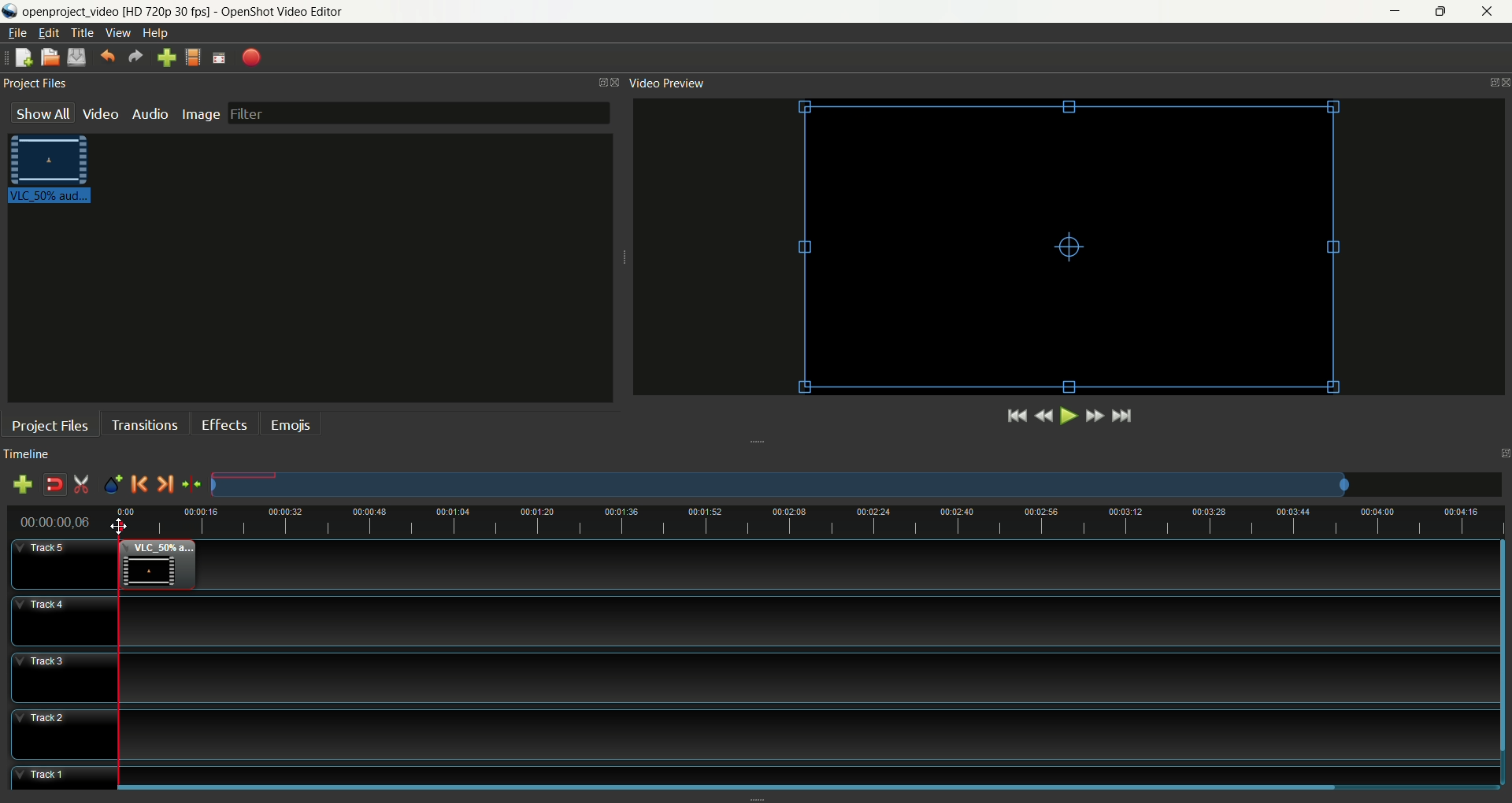  What do you see at coordinates (120, 653) in the screenshot?
I see `playhead` at bounding box center [120, 653].